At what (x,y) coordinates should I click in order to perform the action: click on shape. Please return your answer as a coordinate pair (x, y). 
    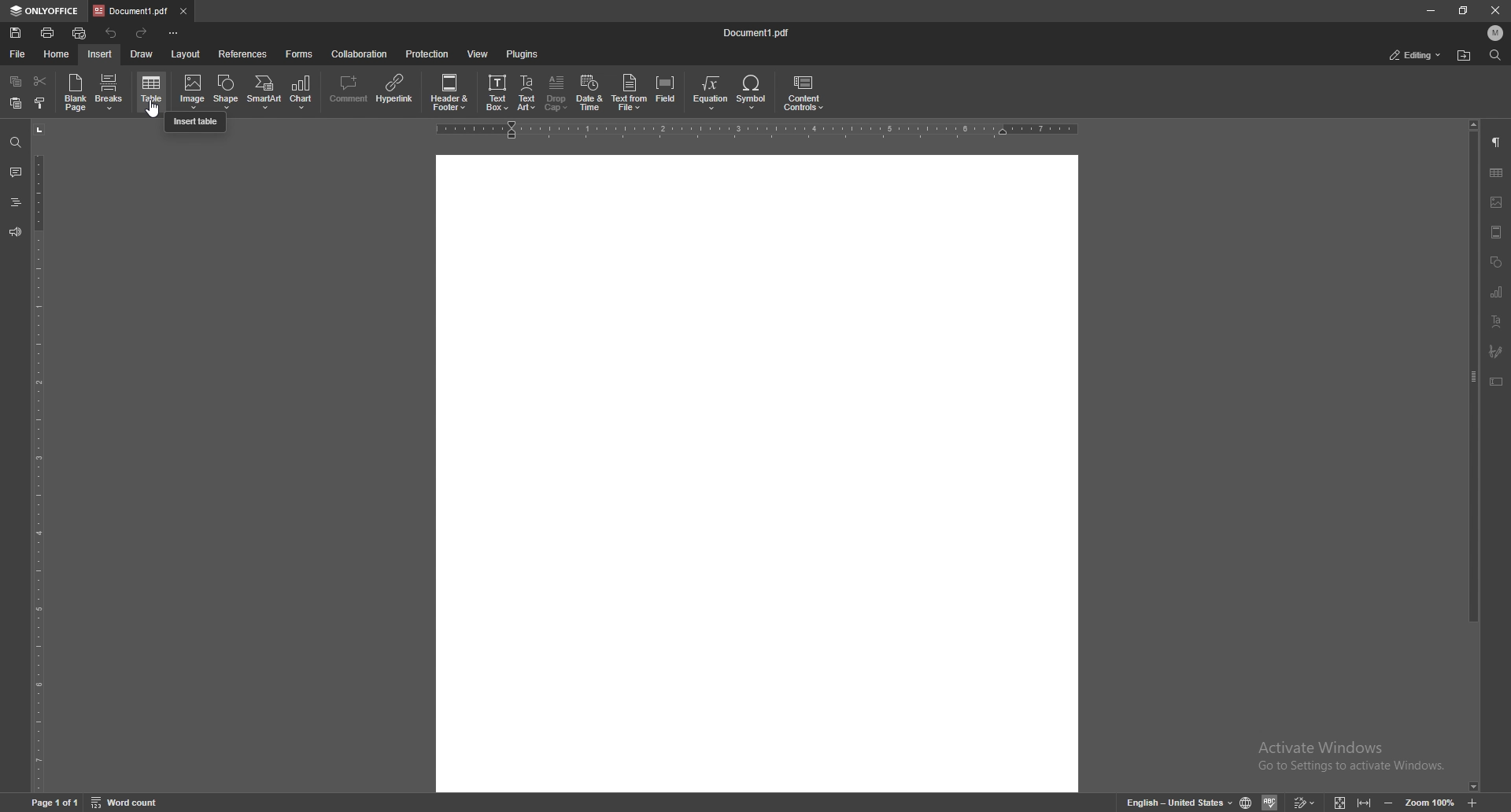
    Looking at the image, I should click on (228, 91).